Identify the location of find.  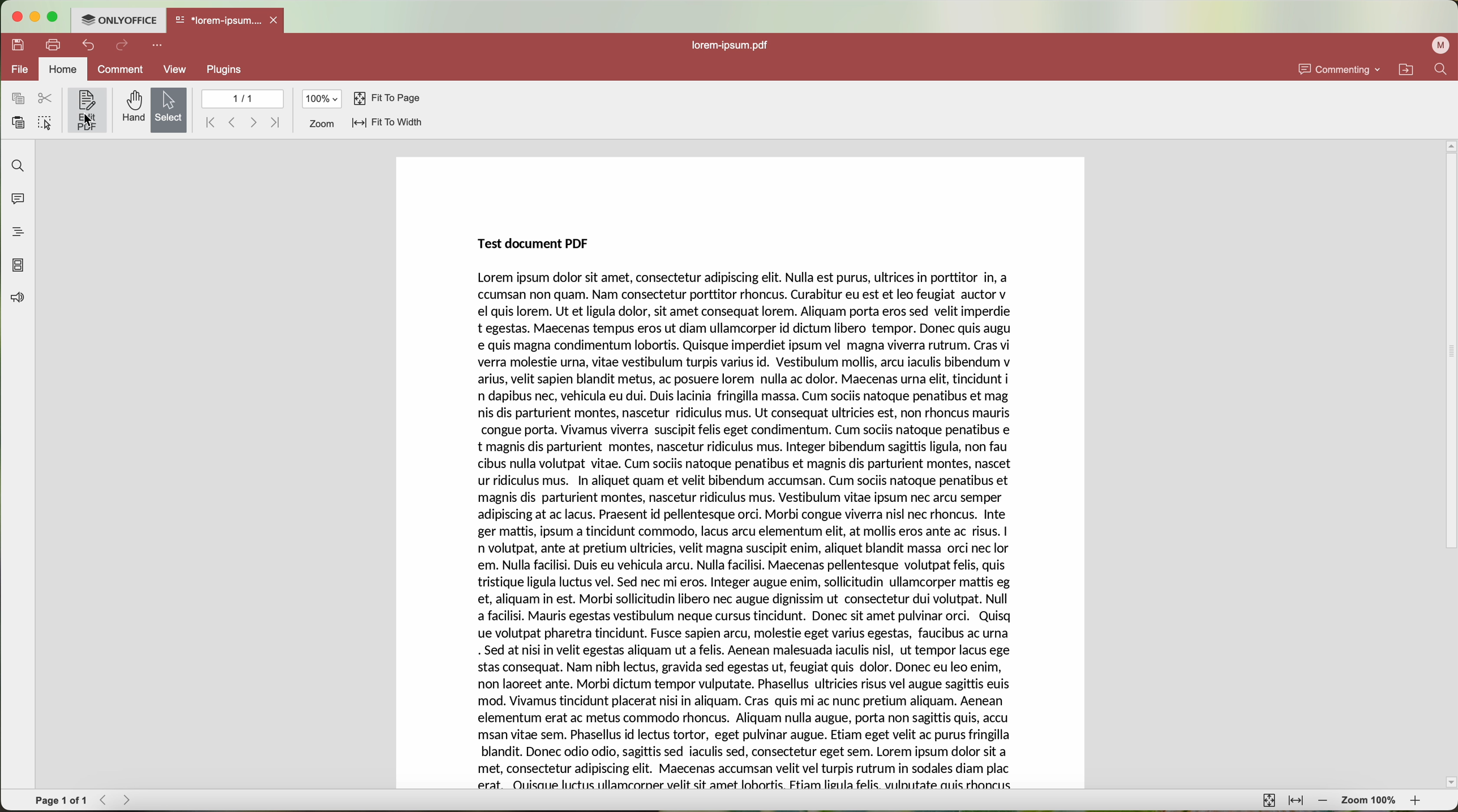
(19, 166).